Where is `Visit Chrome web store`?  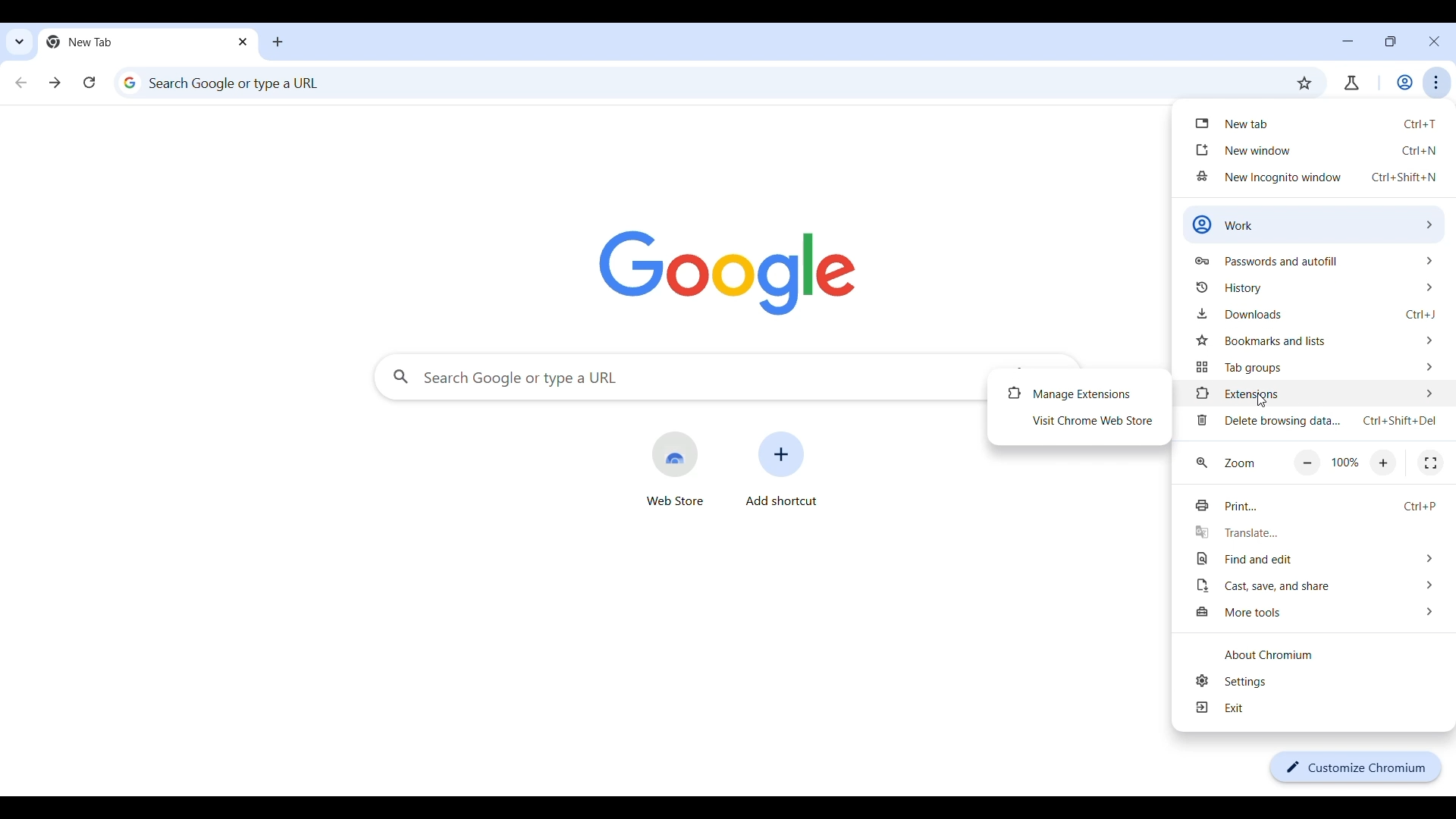
Visit Chrome web store is located at coordinates (1081, 421).